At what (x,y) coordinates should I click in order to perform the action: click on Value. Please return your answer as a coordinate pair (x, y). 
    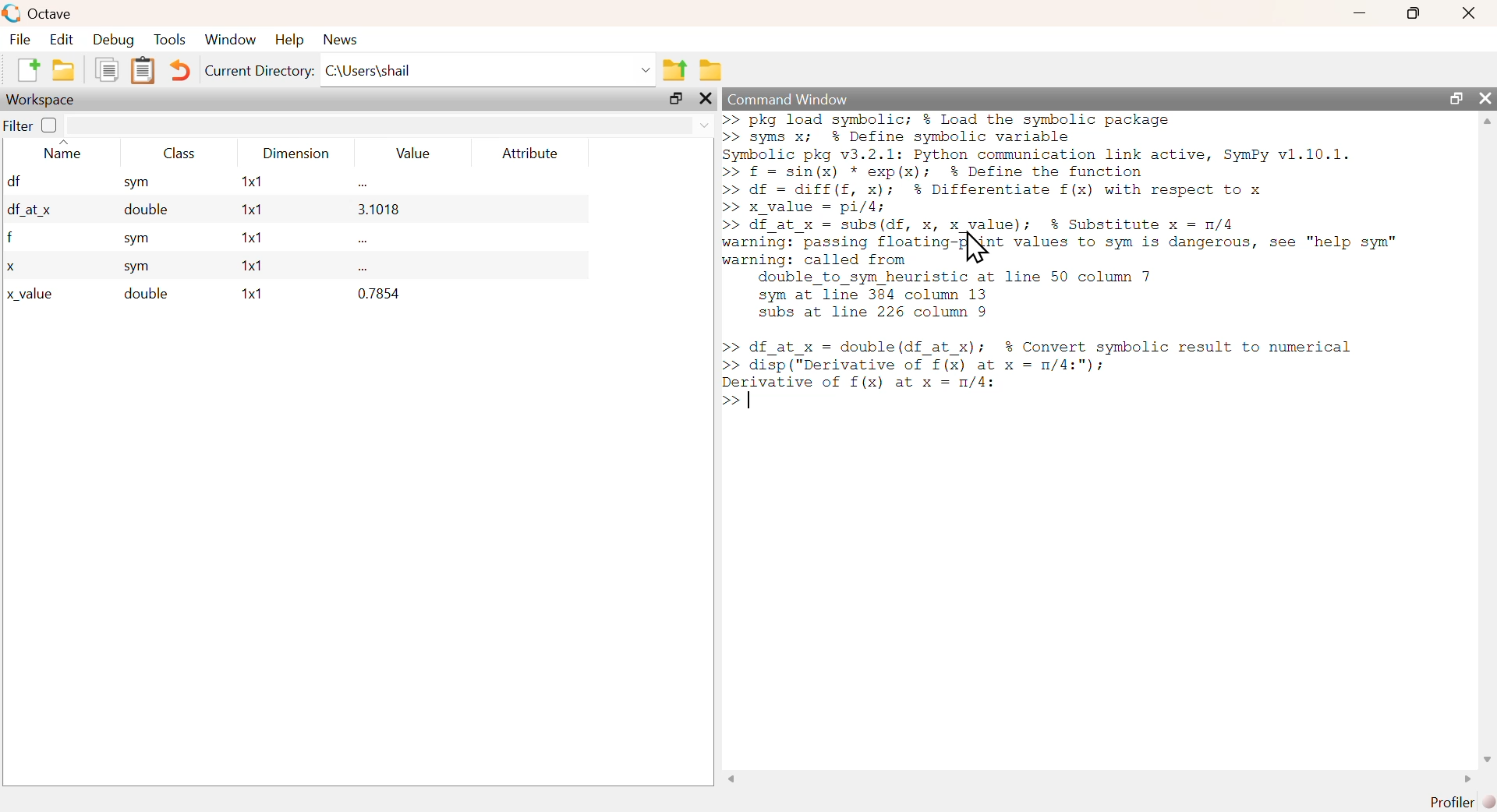
    Looking at the image, I should click on (409, 153).